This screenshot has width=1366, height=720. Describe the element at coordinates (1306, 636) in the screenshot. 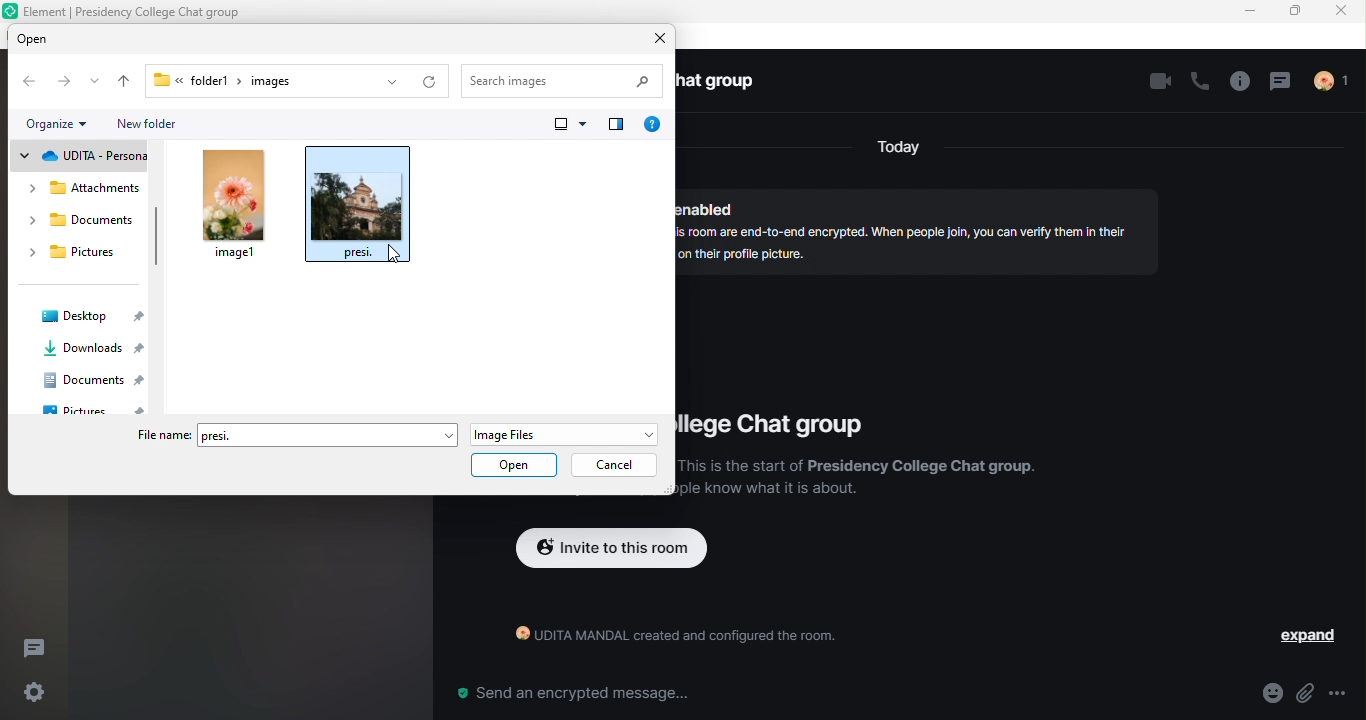

I see `expand` at that location.